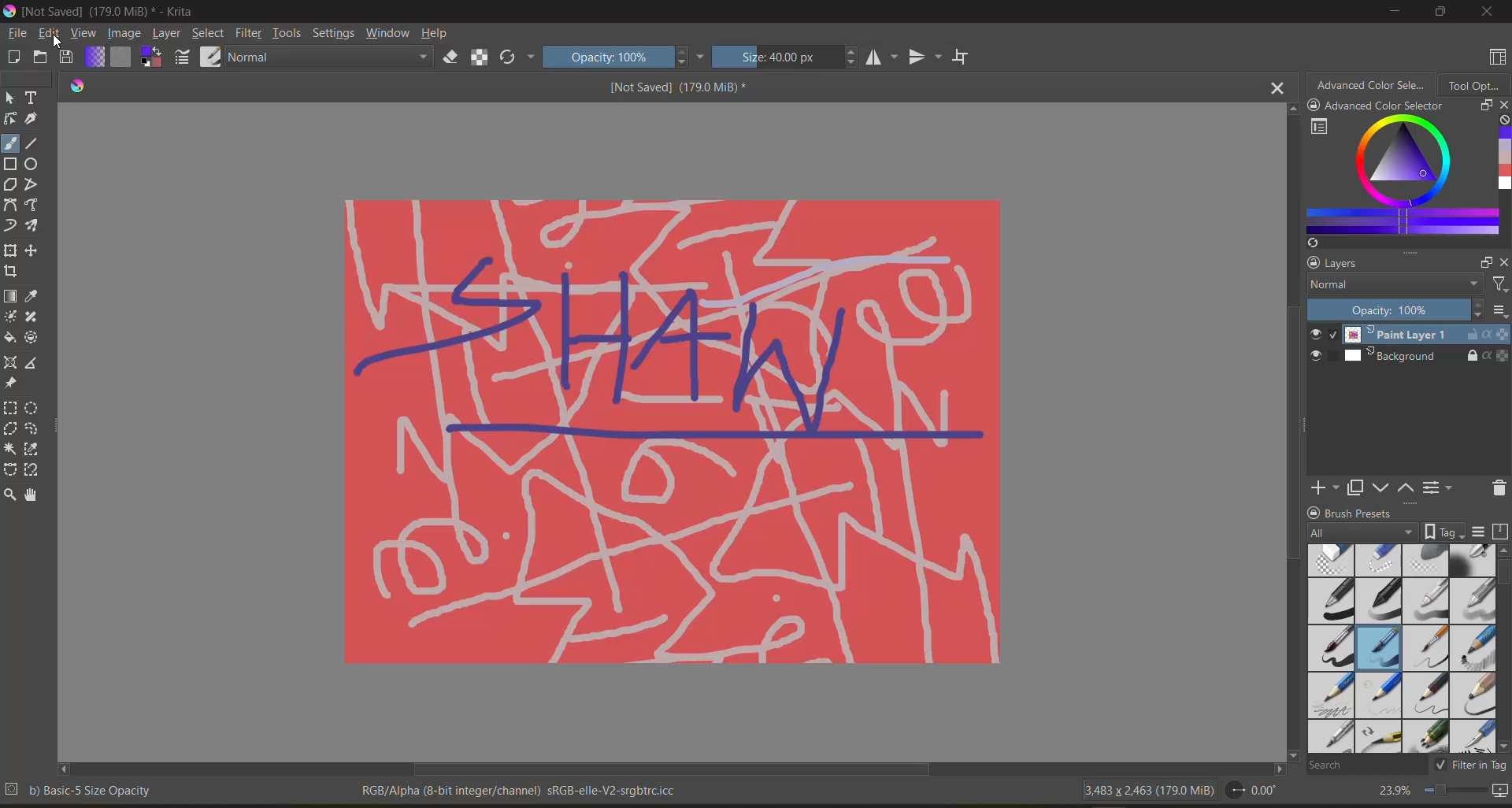 This screenshot has height=808, width=1512. Describe the element at coordinates (1503, 578) in the screenshot. I see `vertical scroll bar` at that location.